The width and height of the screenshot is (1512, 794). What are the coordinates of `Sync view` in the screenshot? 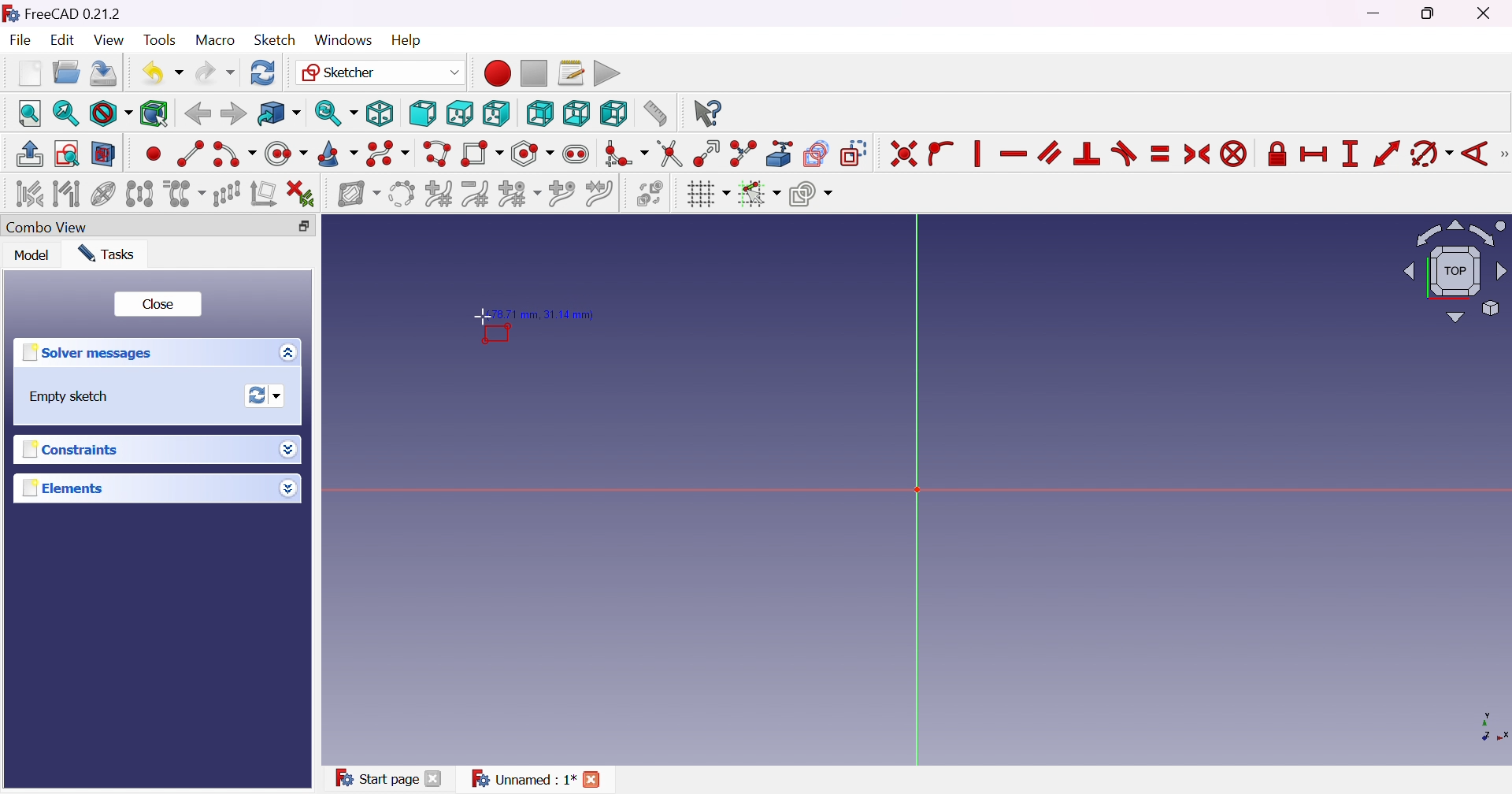 It's located at (336, 113).